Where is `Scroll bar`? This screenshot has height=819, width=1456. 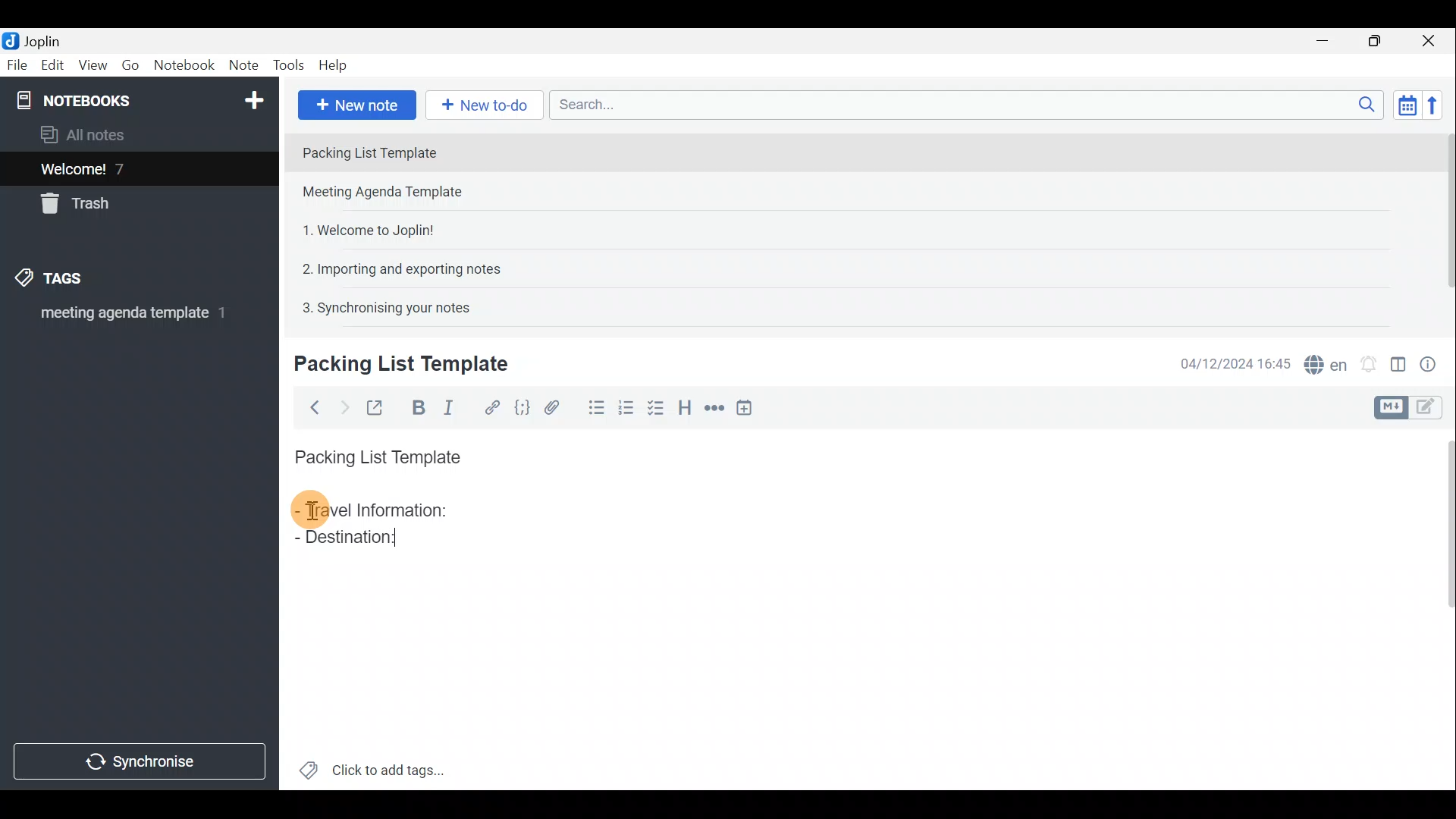
Scroll bar is located at coordinates (1442, 607).